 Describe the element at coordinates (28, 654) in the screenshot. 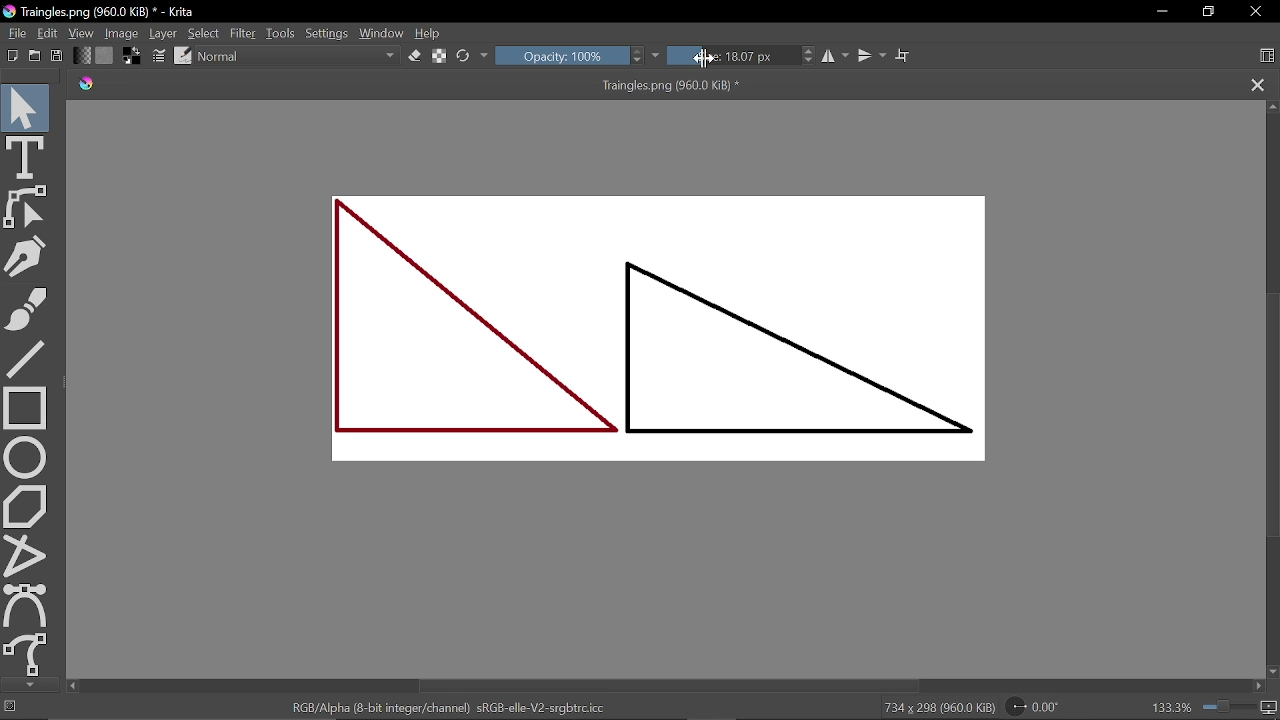

I see `Freehand curve tool` at that location.